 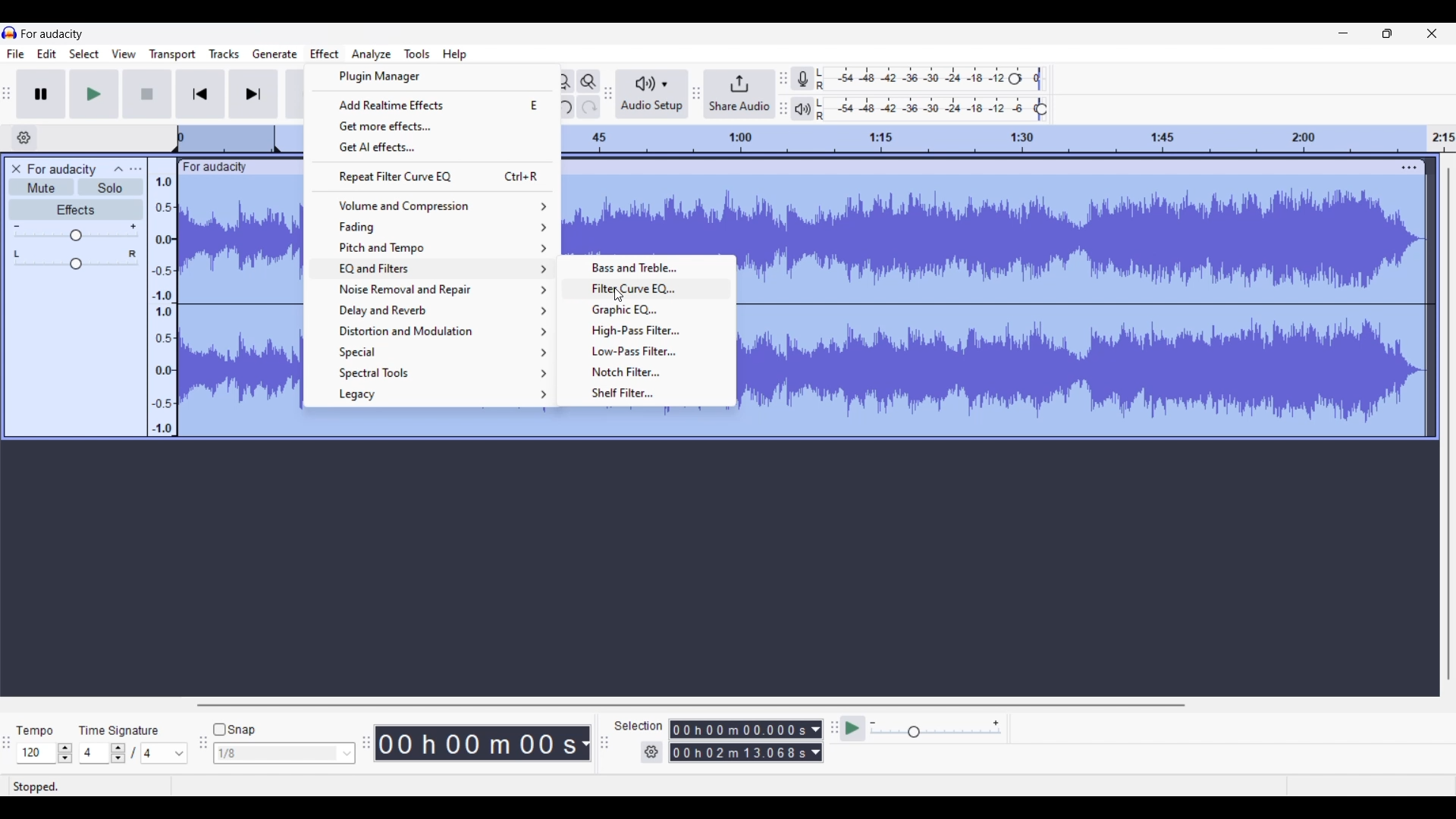 I want to click on Redo, so click(x=588, y=106).